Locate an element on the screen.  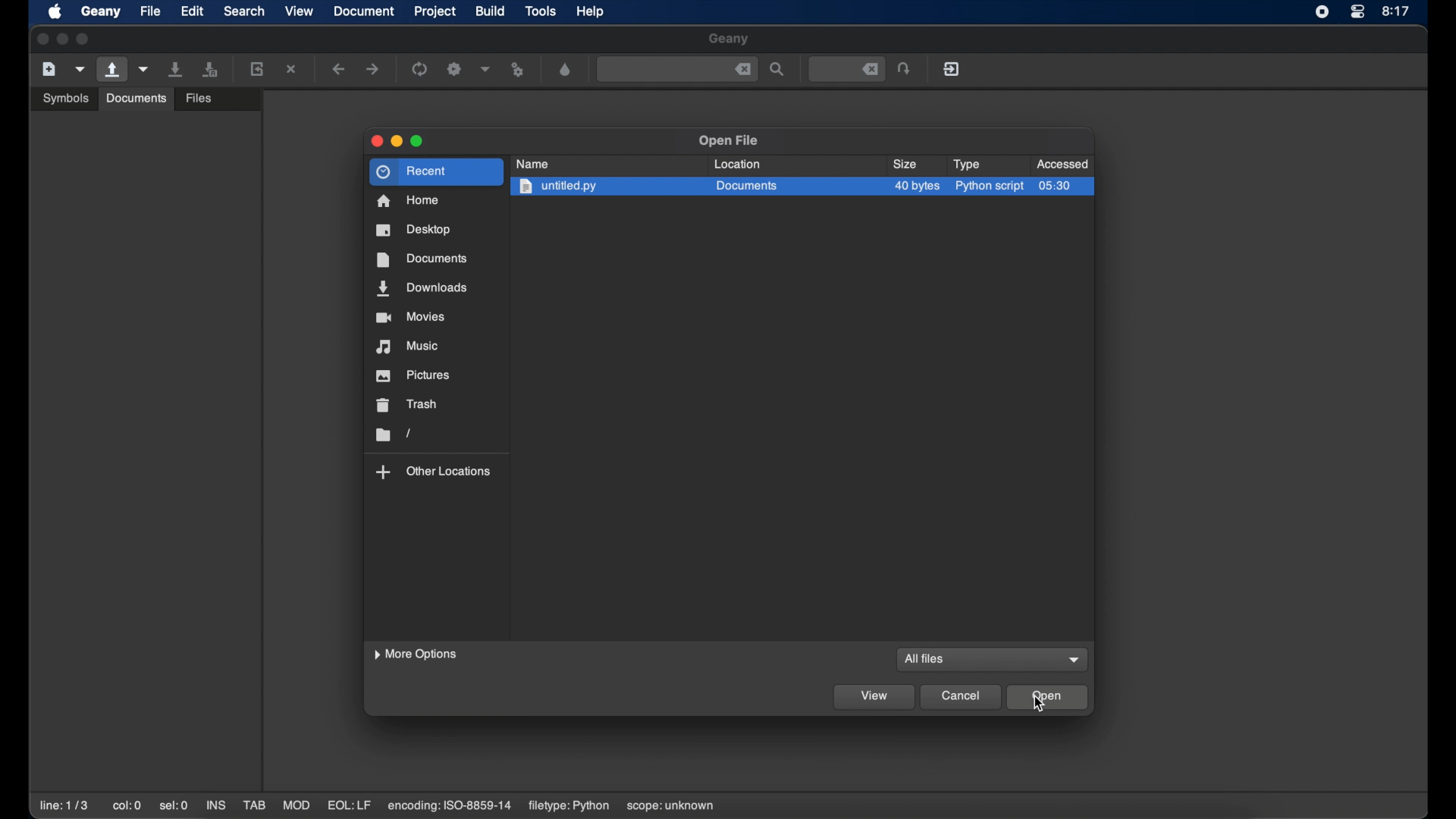
compile the current file is located at coordinates (419, 69).